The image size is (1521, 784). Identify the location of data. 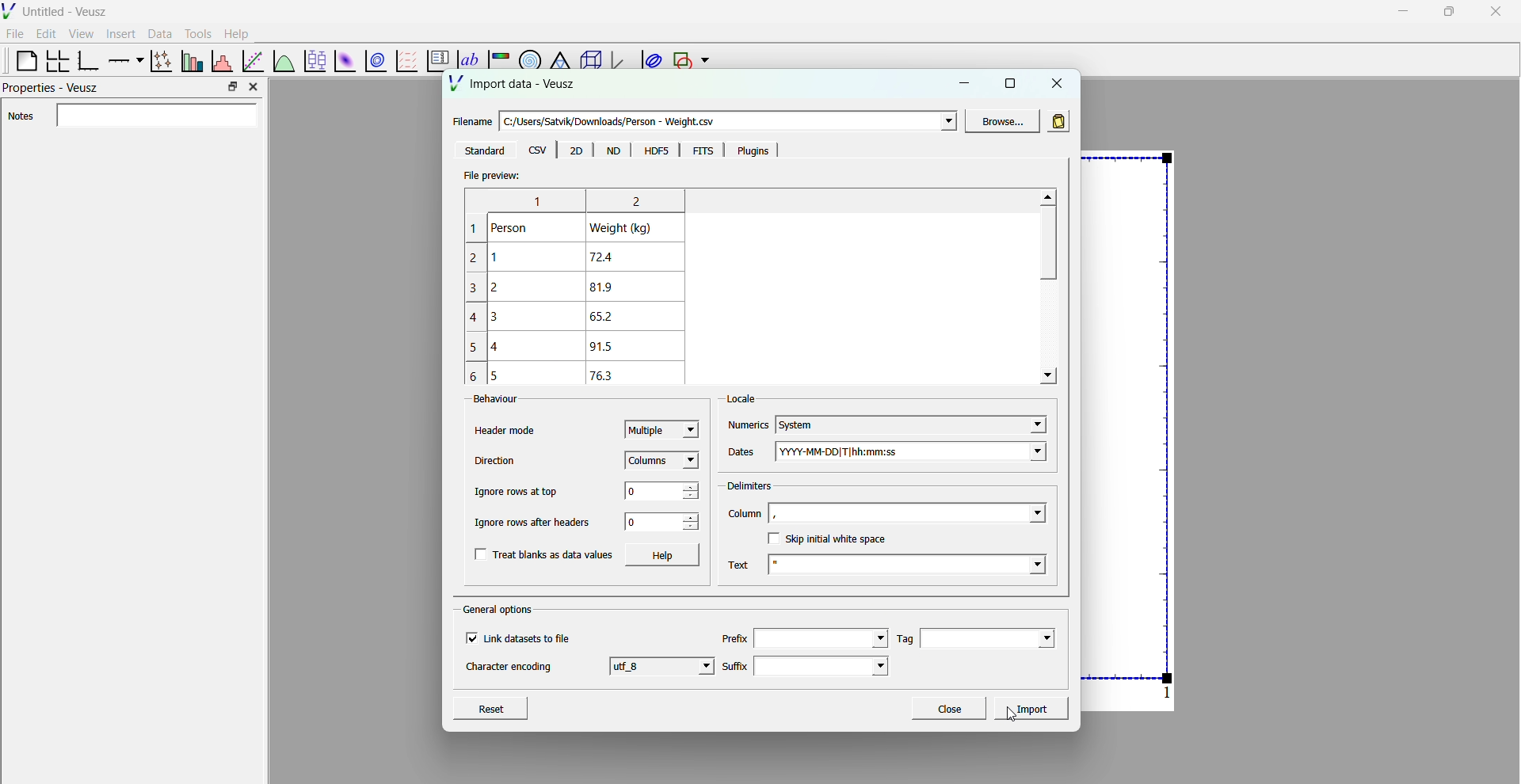
(158, 33).